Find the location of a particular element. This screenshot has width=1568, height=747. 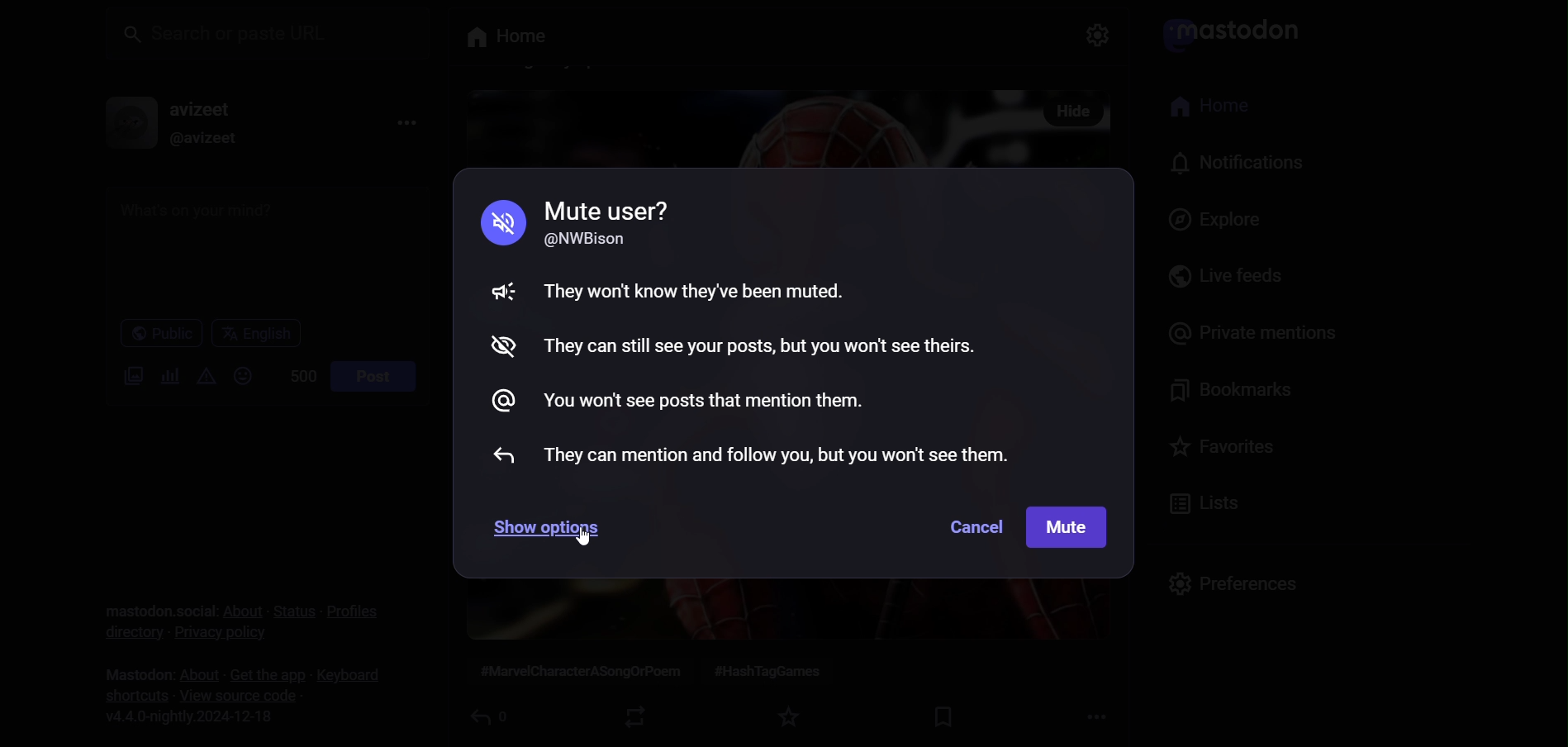

show options is located at coordinates (552, 526).